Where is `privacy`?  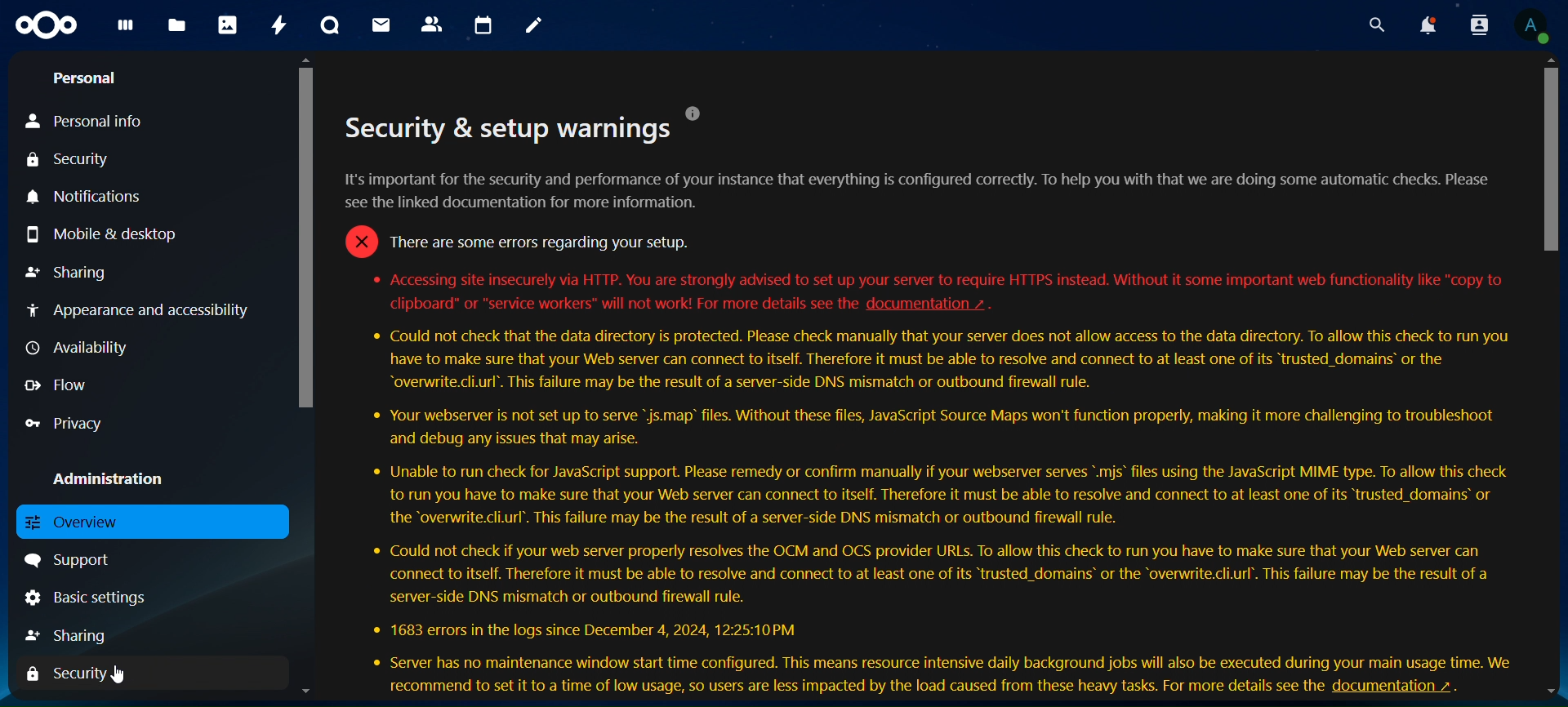
privacy is located at coordinates (65, 425).